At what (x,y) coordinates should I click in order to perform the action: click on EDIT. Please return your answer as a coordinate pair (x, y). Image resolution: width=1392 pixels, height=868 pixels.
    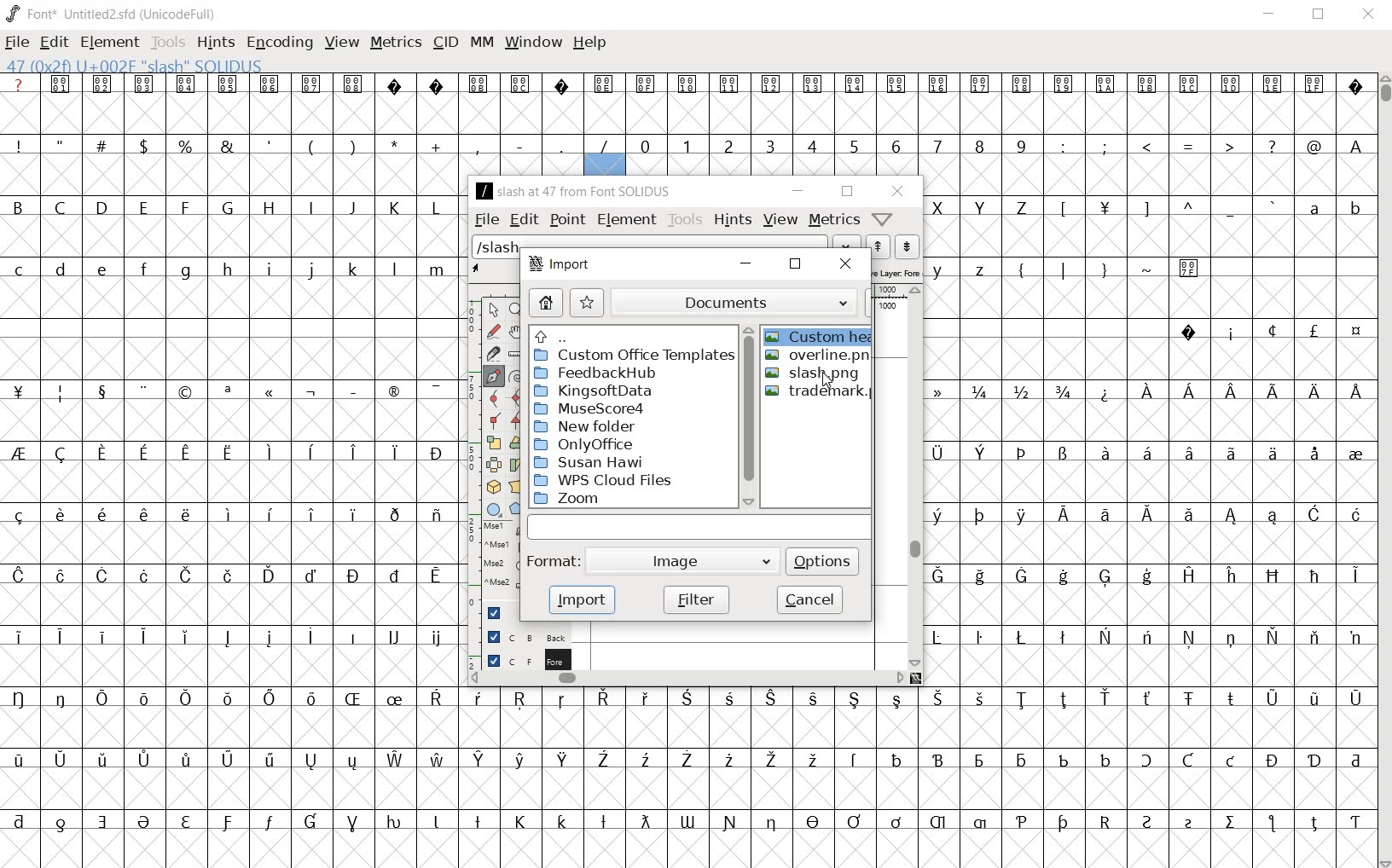
    Looking at the image, I should click on (55, 43).